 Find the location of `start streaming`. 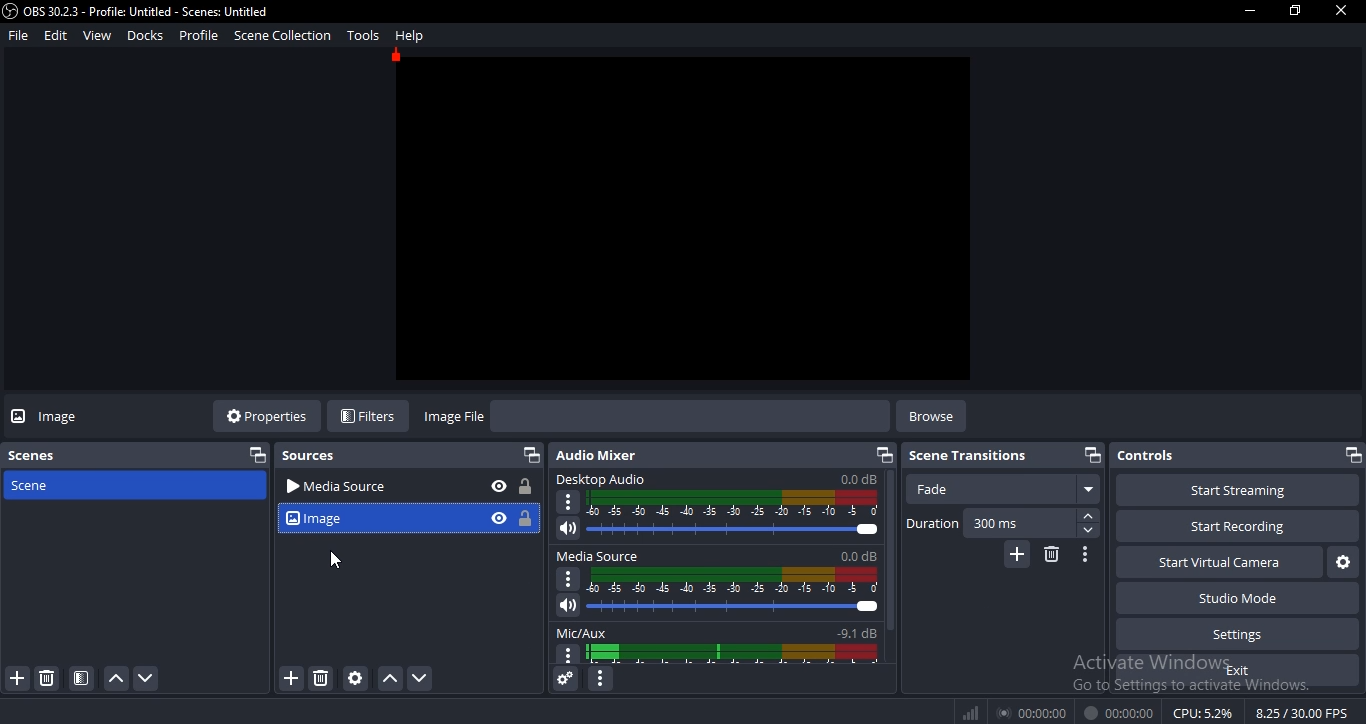

start streaming is located at coordinates (1231, 490).